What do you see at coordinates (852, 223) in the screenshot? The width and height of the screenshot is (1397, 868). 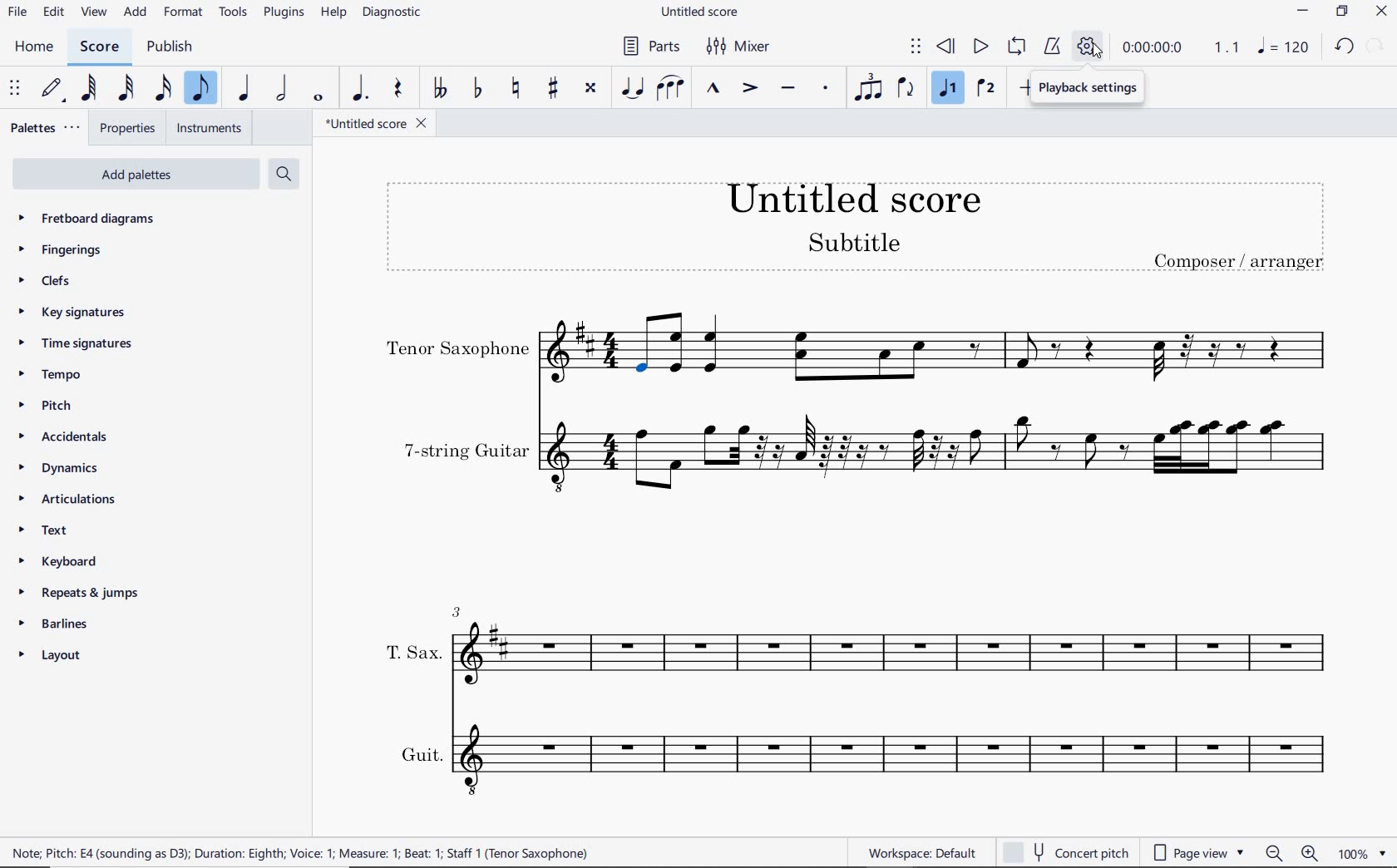 I see `TITLE` at bounding box center [852, 223].